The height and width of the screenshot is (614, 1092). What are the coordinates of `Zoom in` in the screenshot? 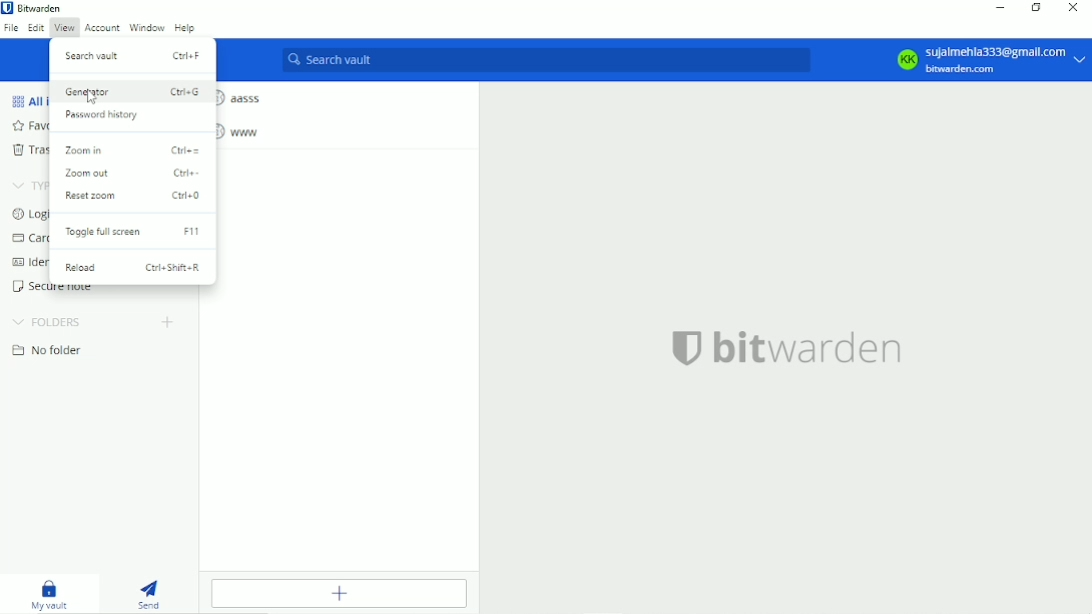 It's located at (136, 151).